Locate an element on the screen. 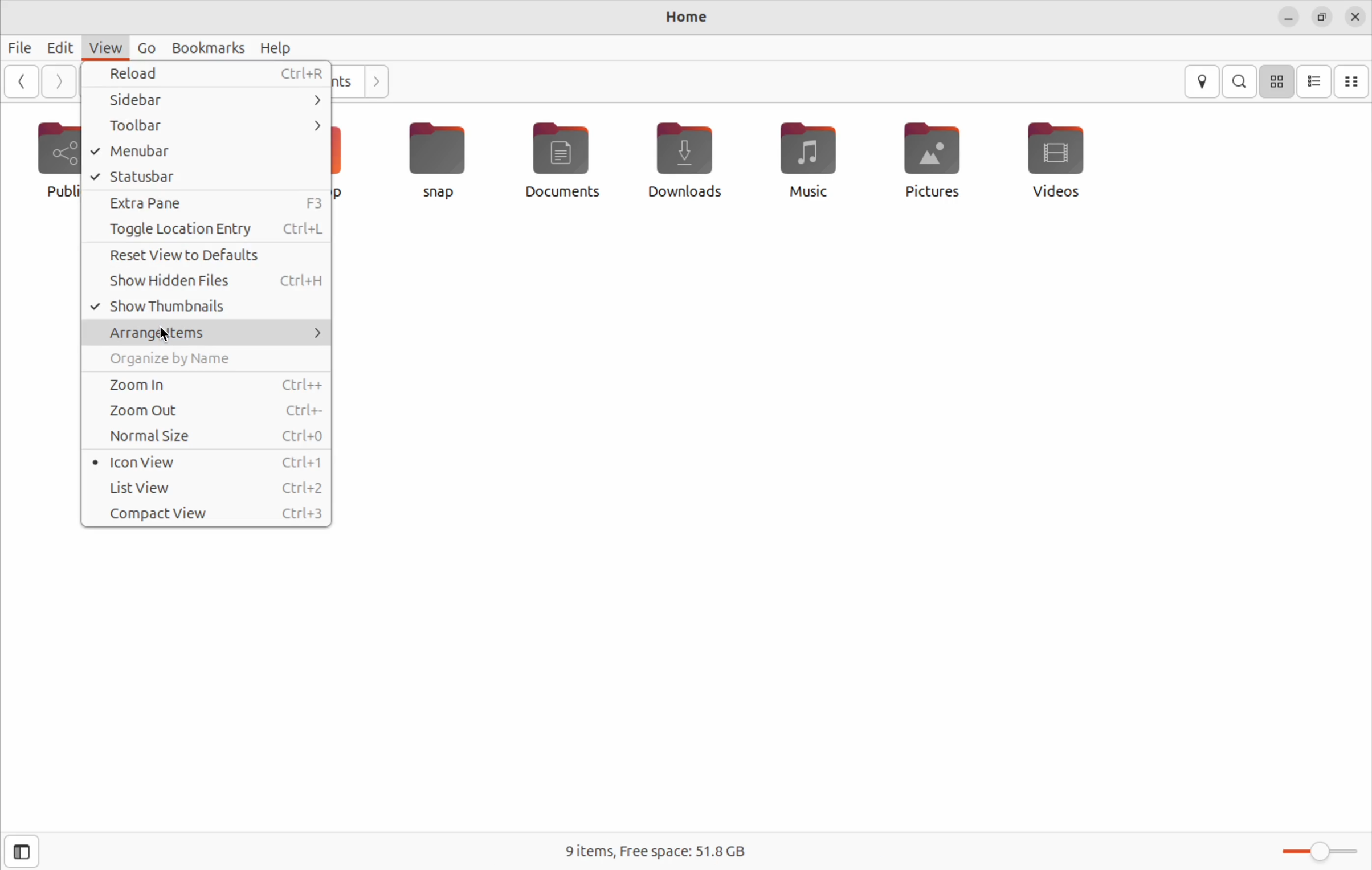  music is located at coordinates (807, 165).